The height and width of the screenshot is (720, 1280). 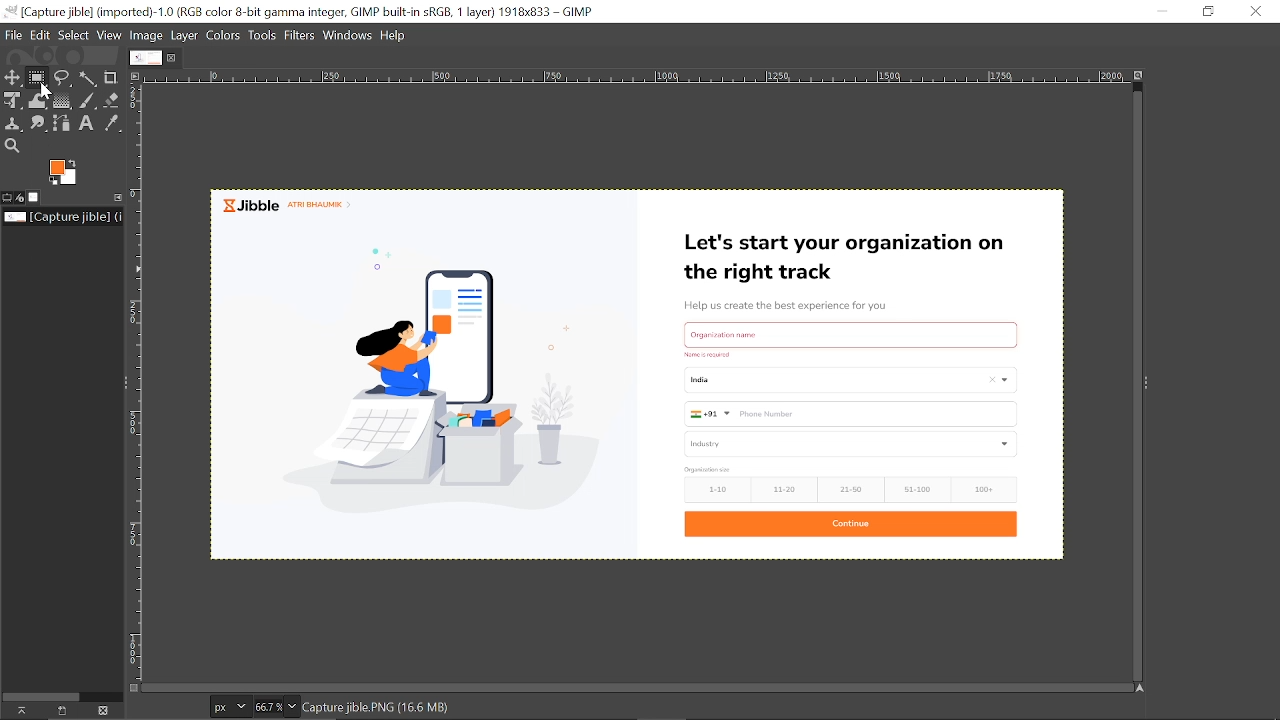 What do you see at coordinates (16, 123) in the screenshot?
I see `Clone tool` at bounding box center [16, 123].